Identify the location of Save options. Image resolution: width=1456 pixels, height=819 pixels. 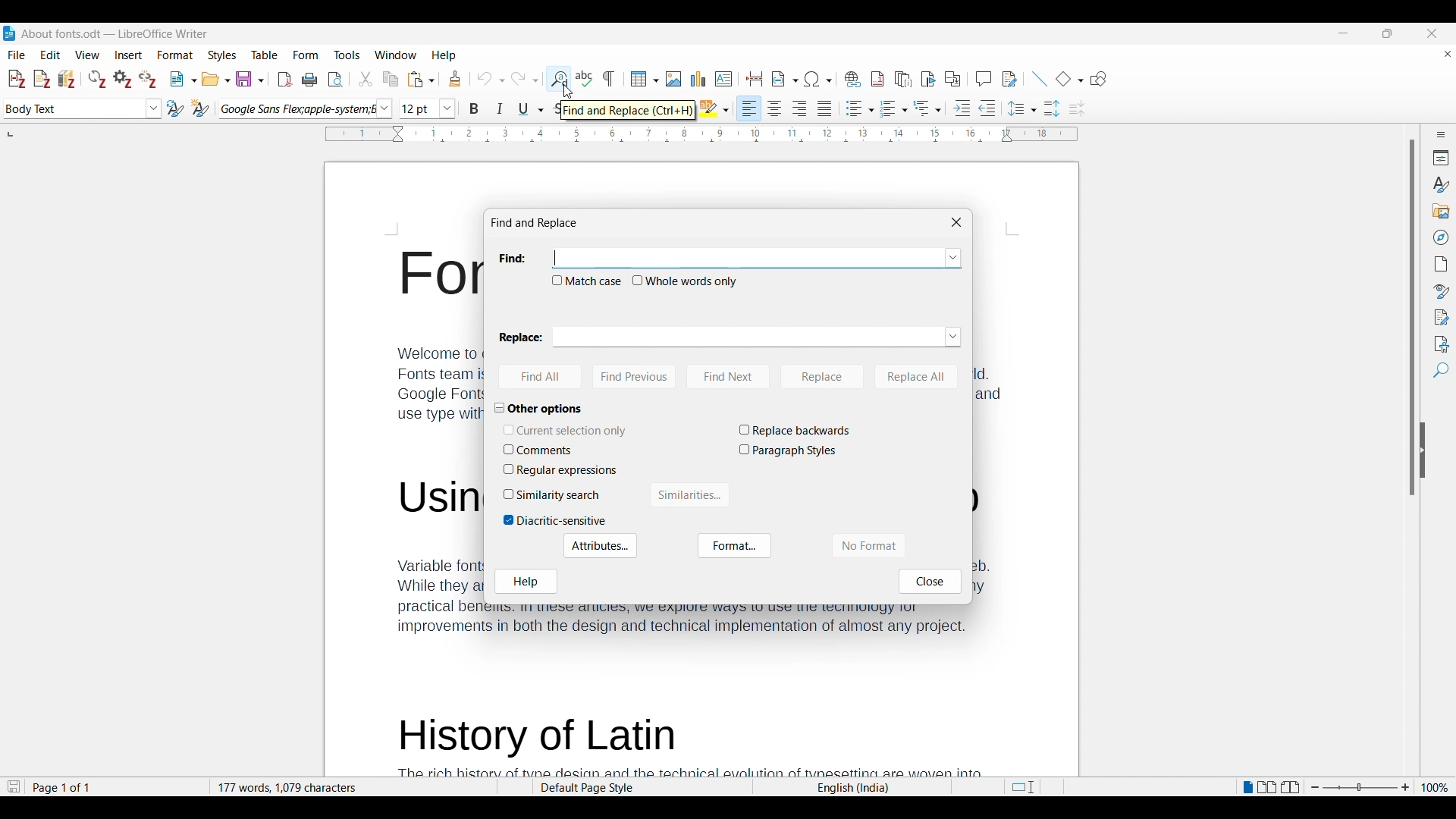
(250, 79).